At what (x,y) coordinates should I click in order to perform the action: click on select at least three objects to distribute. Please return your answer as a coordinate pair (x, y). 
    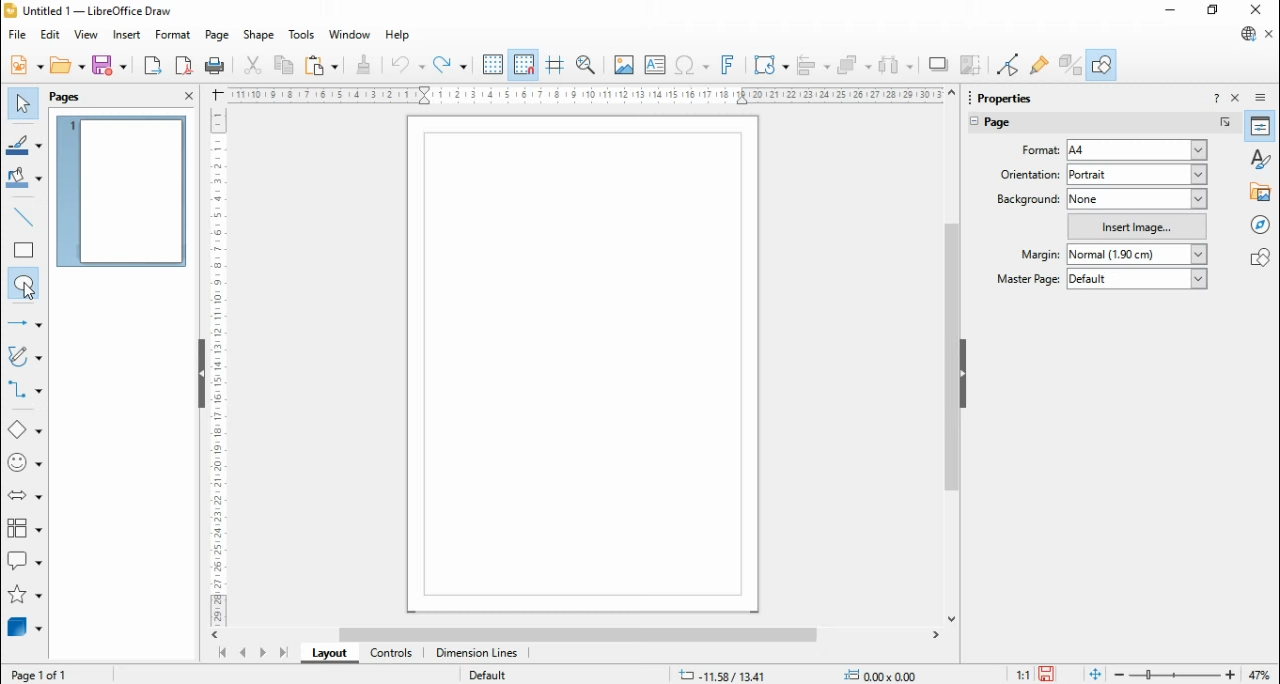
    Looking at the image, I should click on (896, 66).